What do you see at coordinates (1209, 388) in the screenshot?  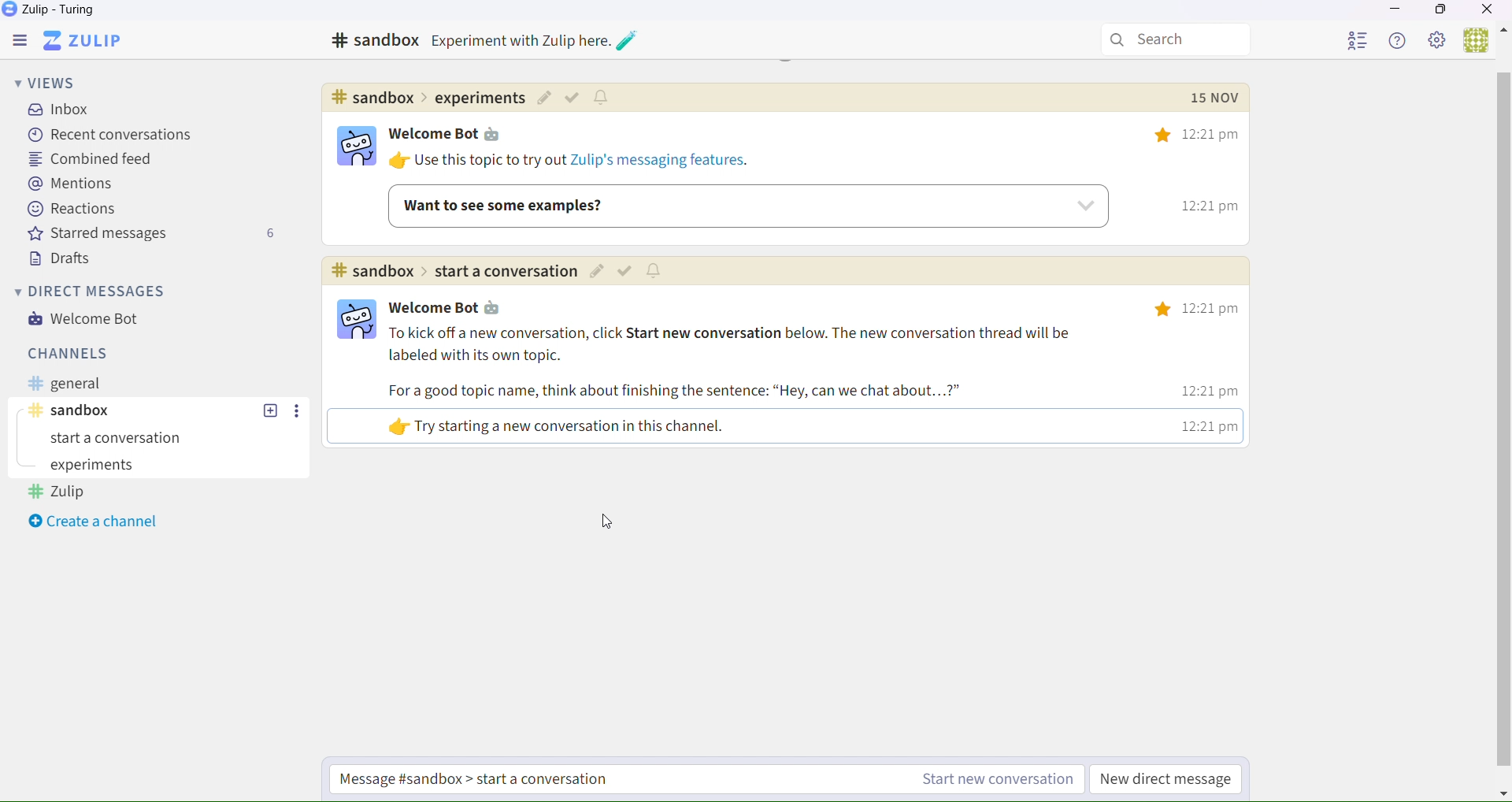 I see `12:21 pm` at bounding box center [1209, 388].